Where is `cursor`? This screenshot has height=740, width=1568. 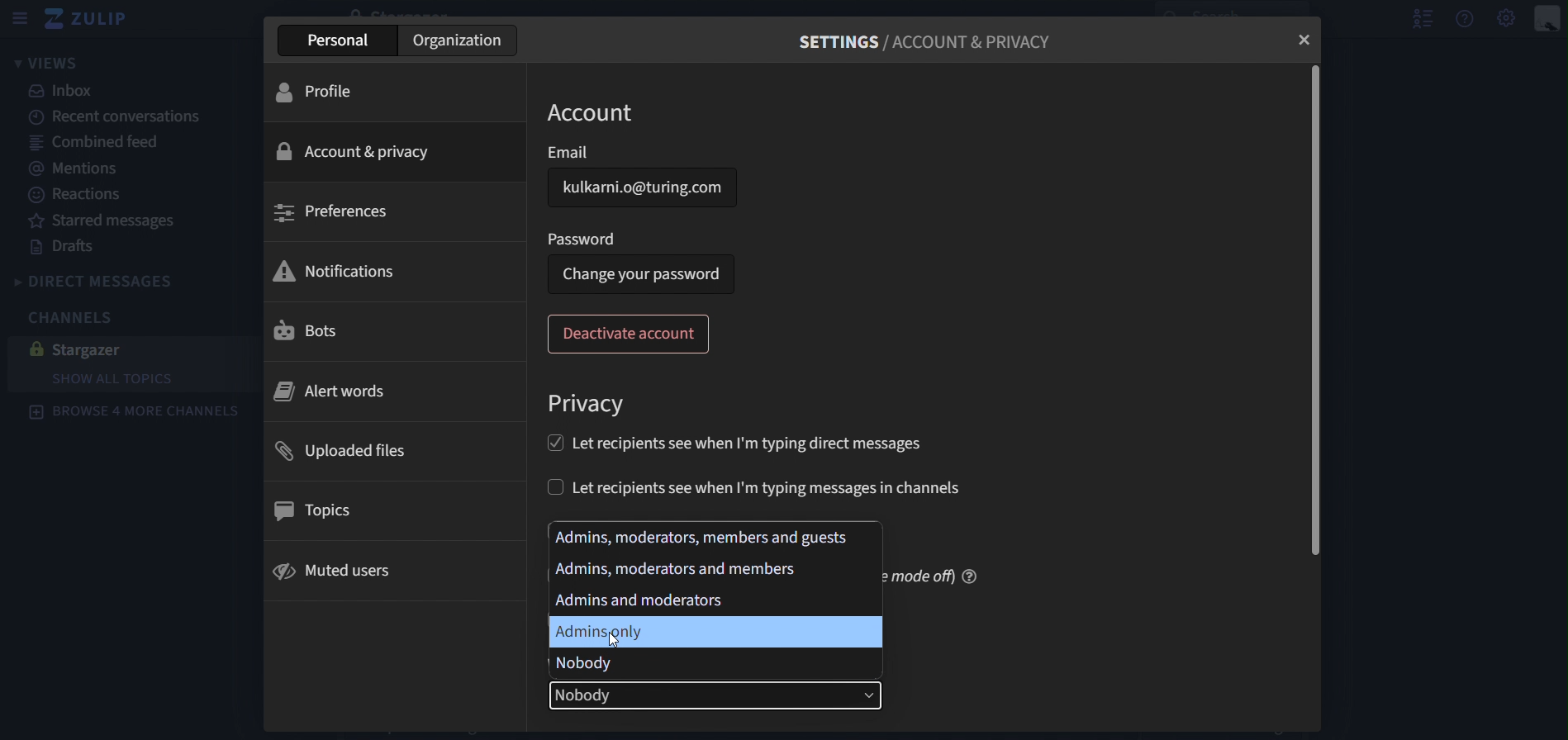 cursor is located at coordinates (615, 638).